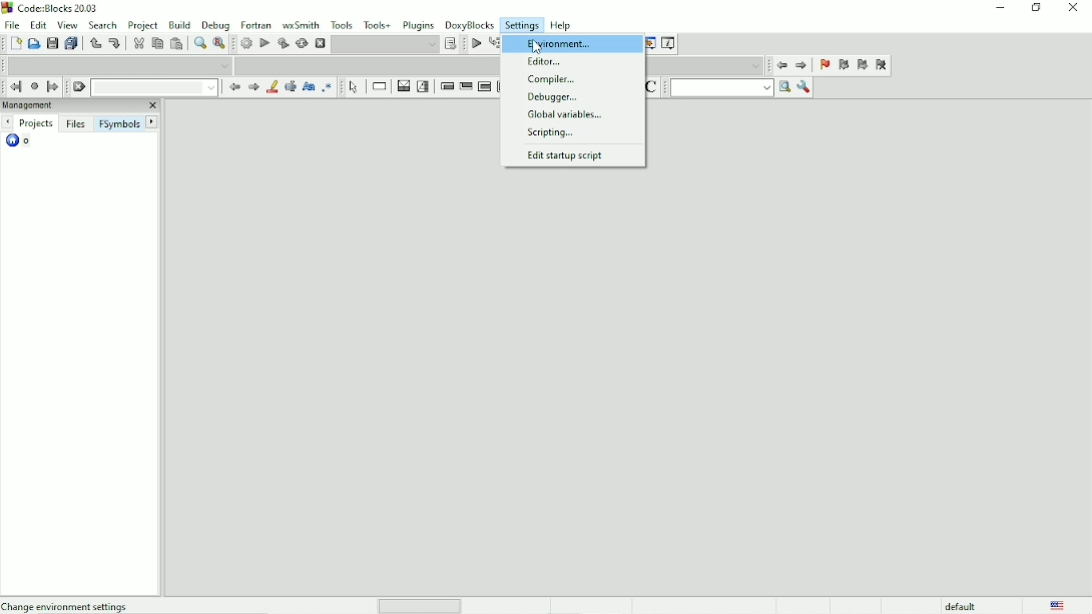 Image resolution: width=1092 pixels, height=614 pixels. I want to click on Title, so click(71, 8).